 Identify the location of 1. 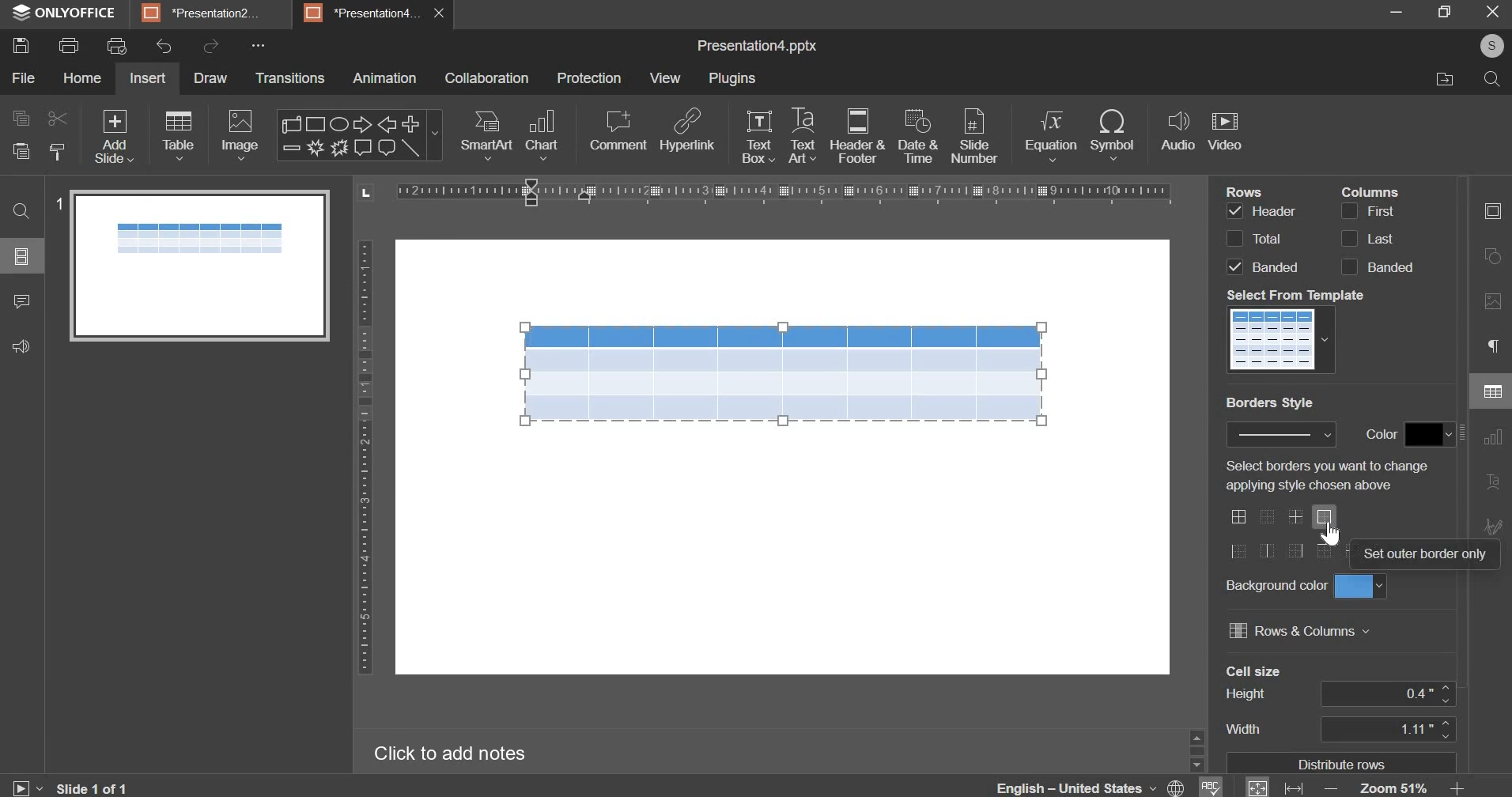
(55, 202).